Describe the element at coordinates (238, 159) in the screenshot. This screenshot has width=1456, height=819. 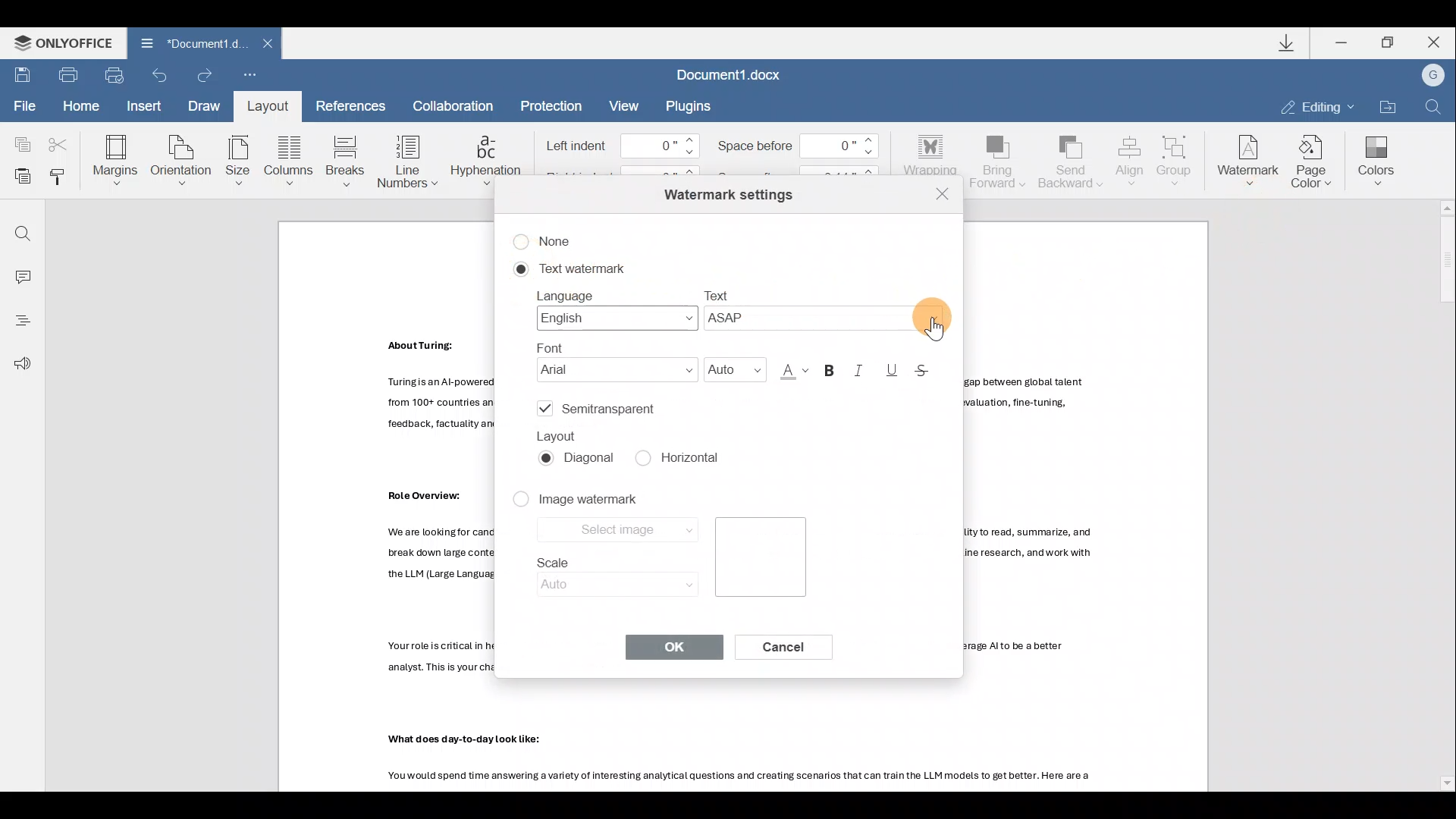
I see `Size` at that location.